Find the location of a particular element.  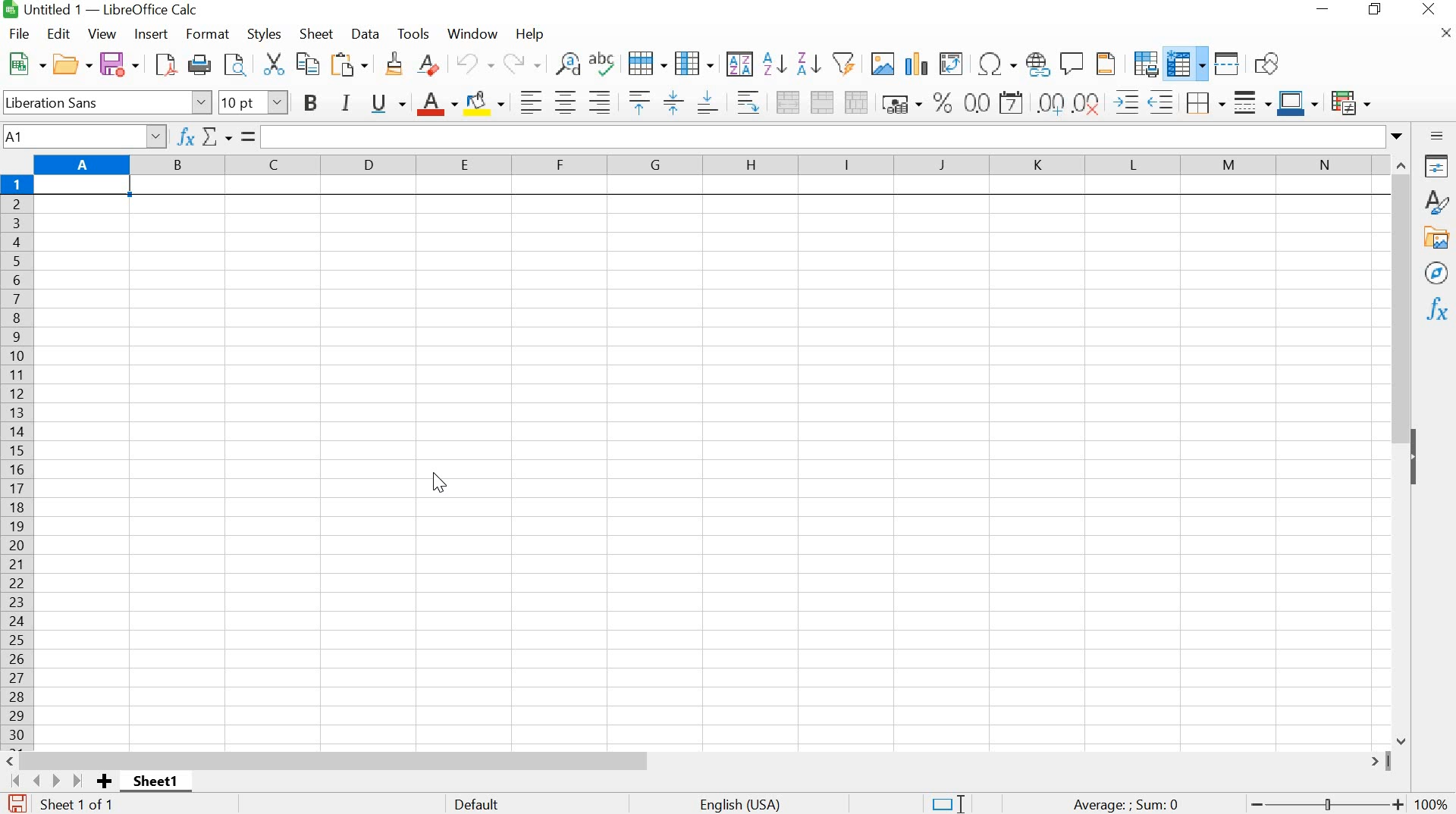

NEW is located at coordinates (24, 64).